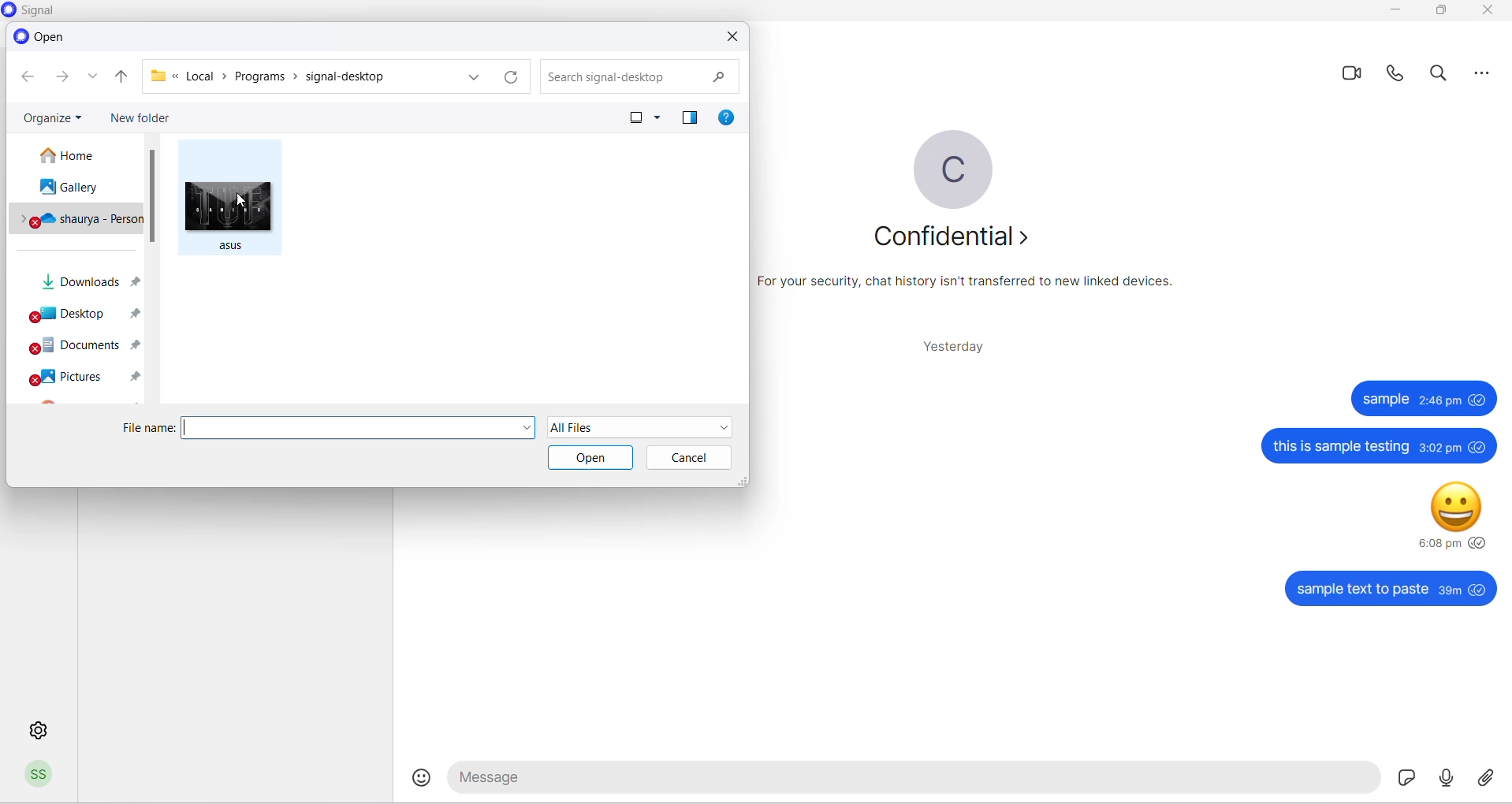  What do you see at coordinates (43, 36) in the screenshot?
I see `open dialog box title` at bounding box center [43, 36].